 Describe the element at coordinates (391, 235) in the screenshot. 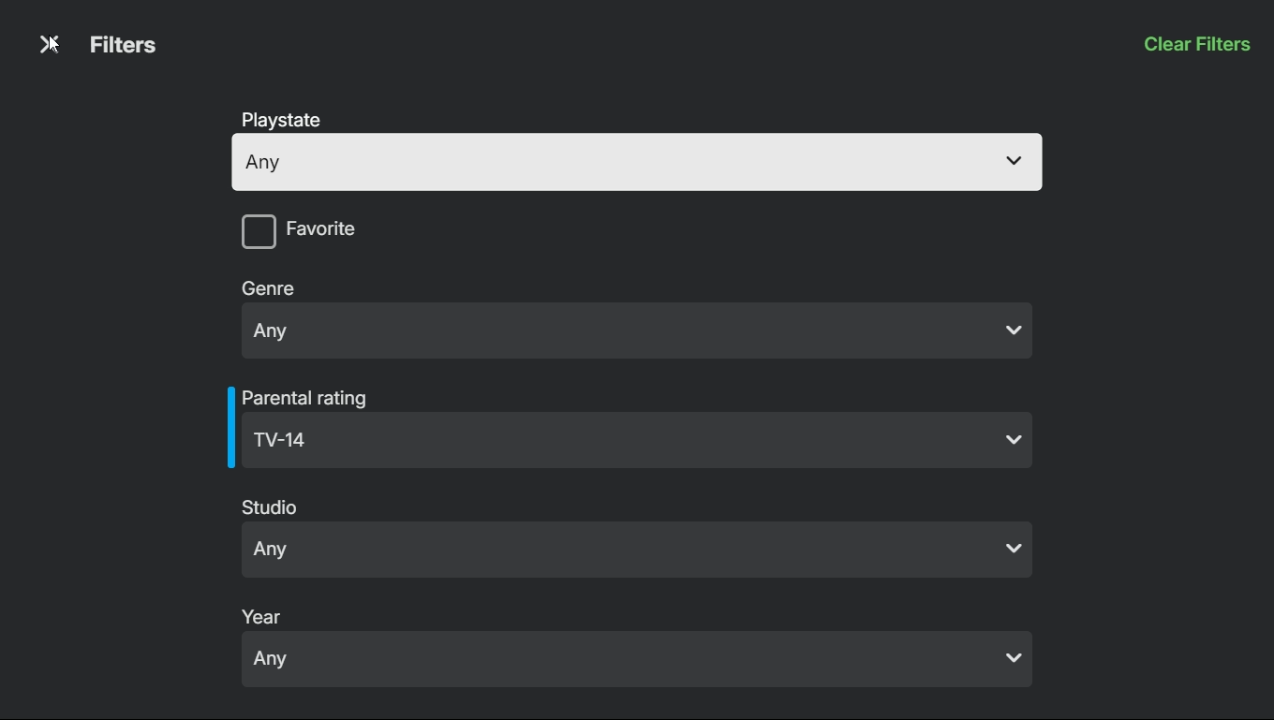

I see `checkbox: favorite` at that location.